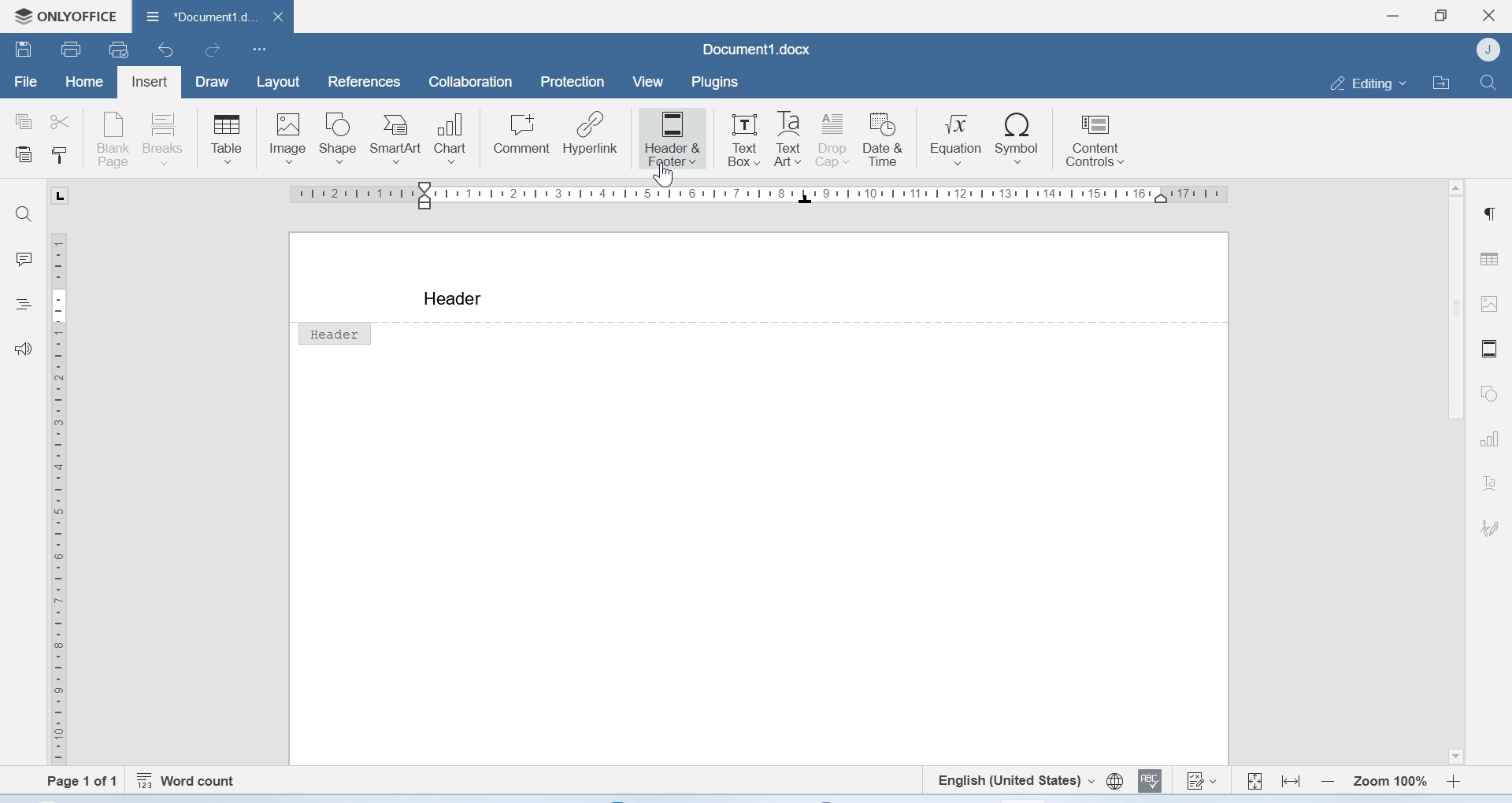  Describe the element at coordinates (1442, 14) in the screenshot. I see `Maximize` at that location.